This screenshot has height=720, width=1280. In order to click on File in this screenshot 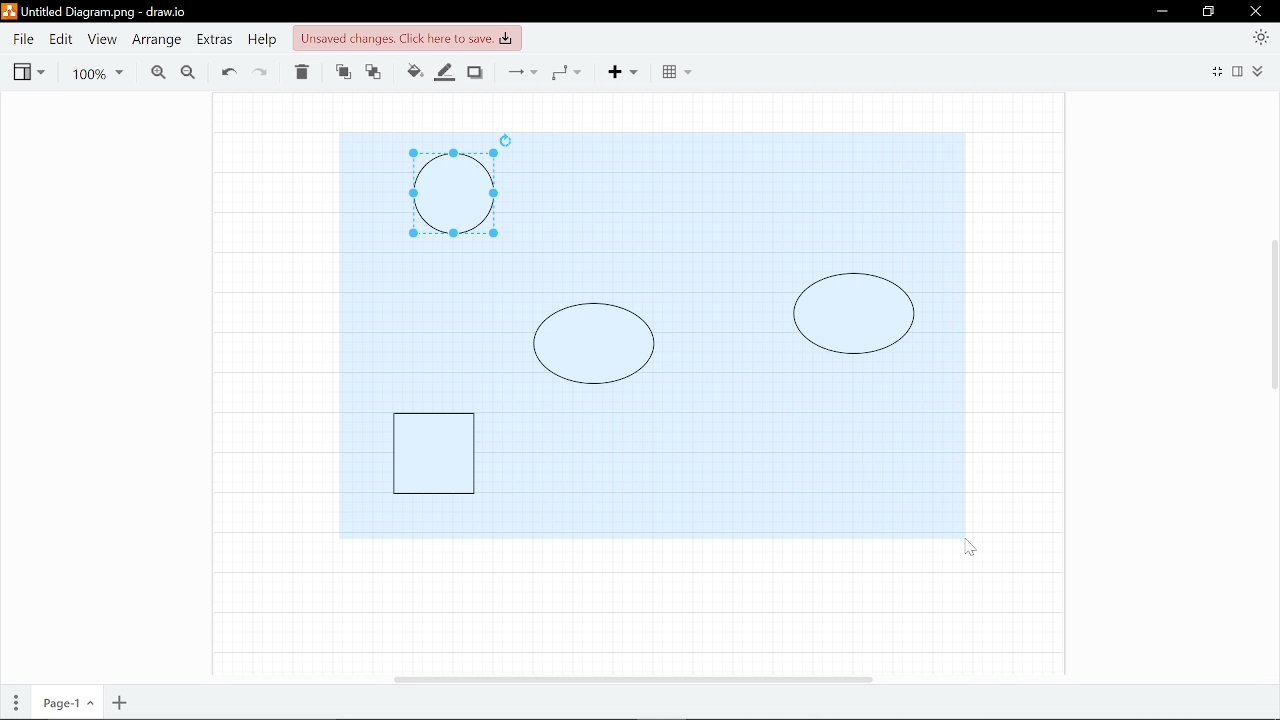, I will do `click(23, 39)`.